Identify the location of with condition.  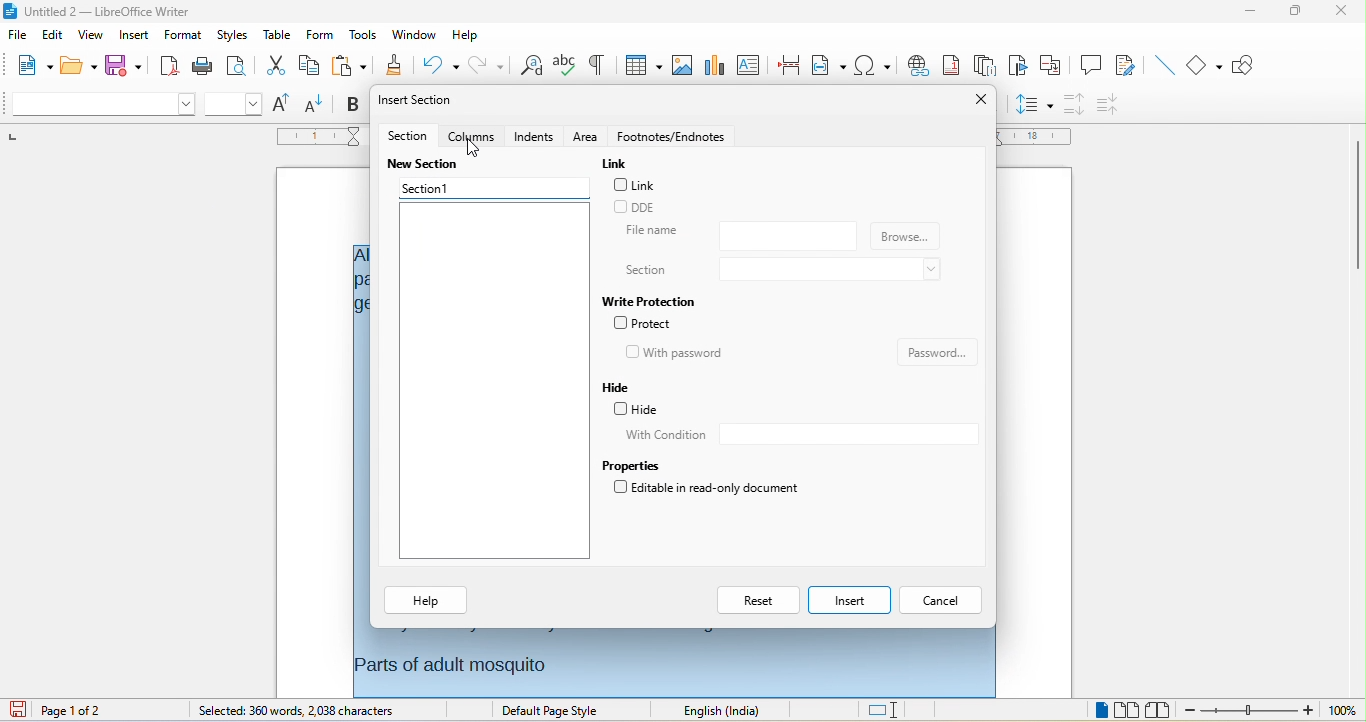
(664, 436).